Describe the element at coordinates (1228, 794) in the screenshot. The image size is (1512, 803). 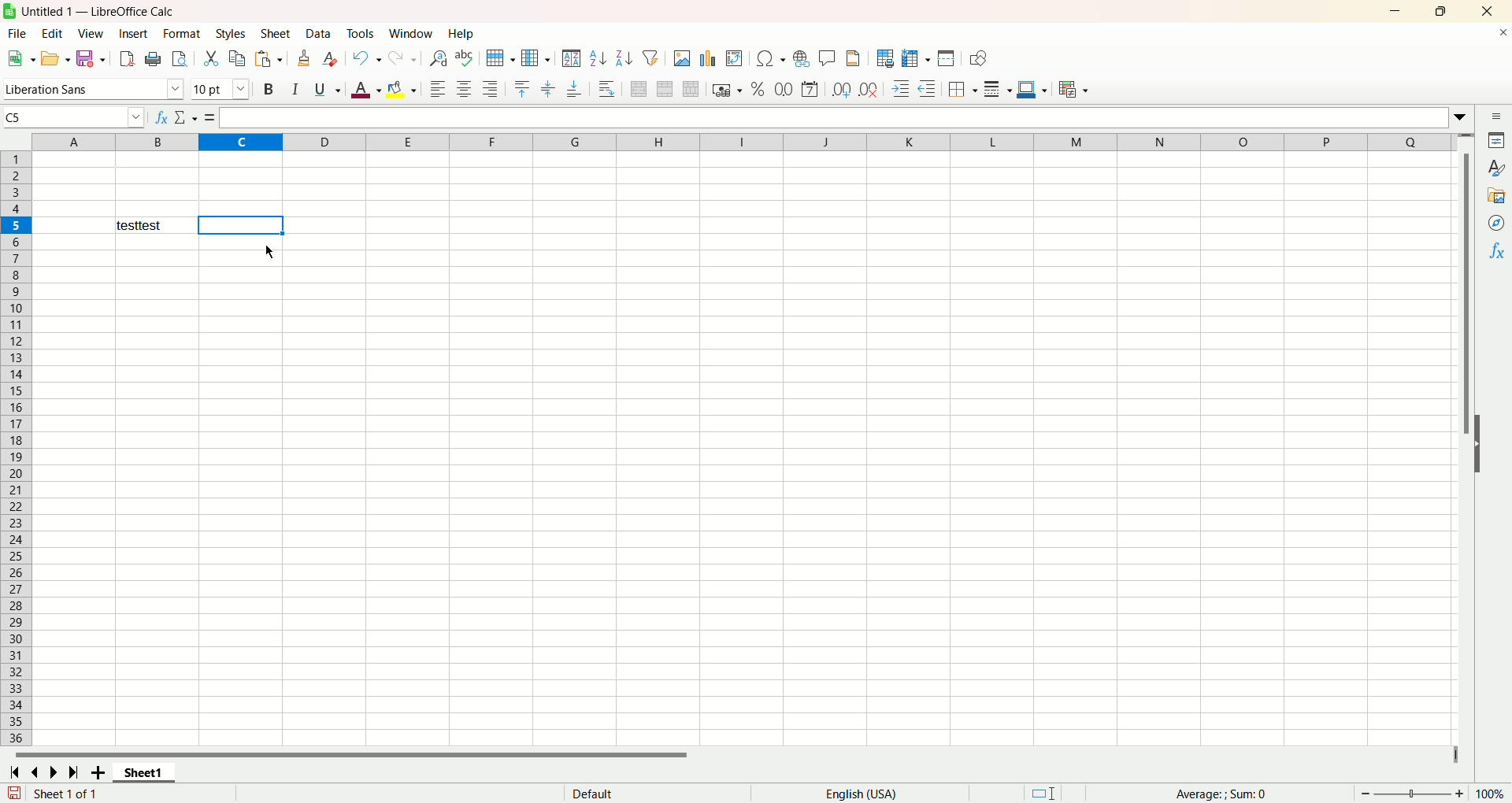
I see `average` at that location.